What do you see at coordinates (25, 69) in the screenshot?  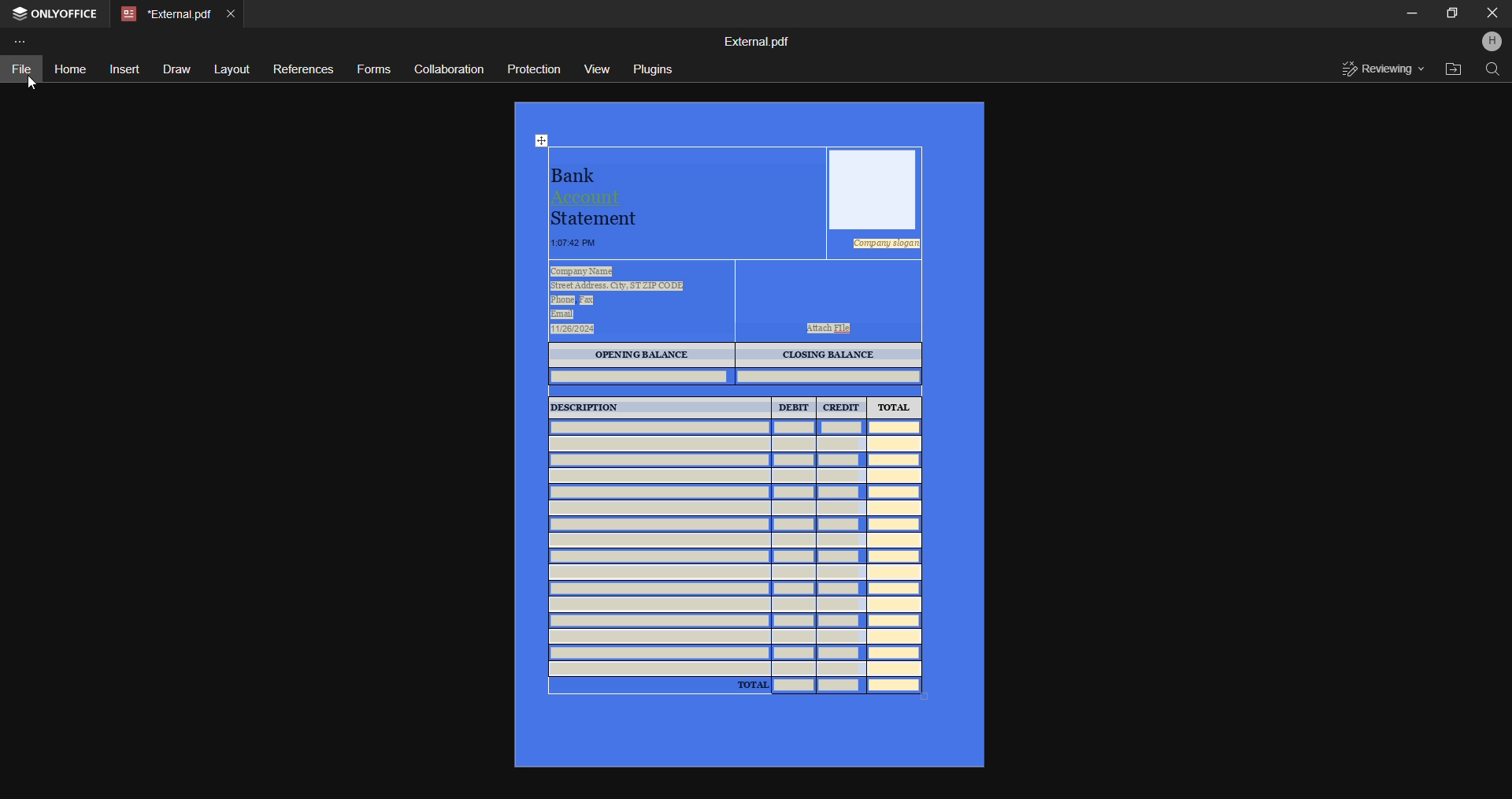 I see `File` at bounding box center [25, 69].